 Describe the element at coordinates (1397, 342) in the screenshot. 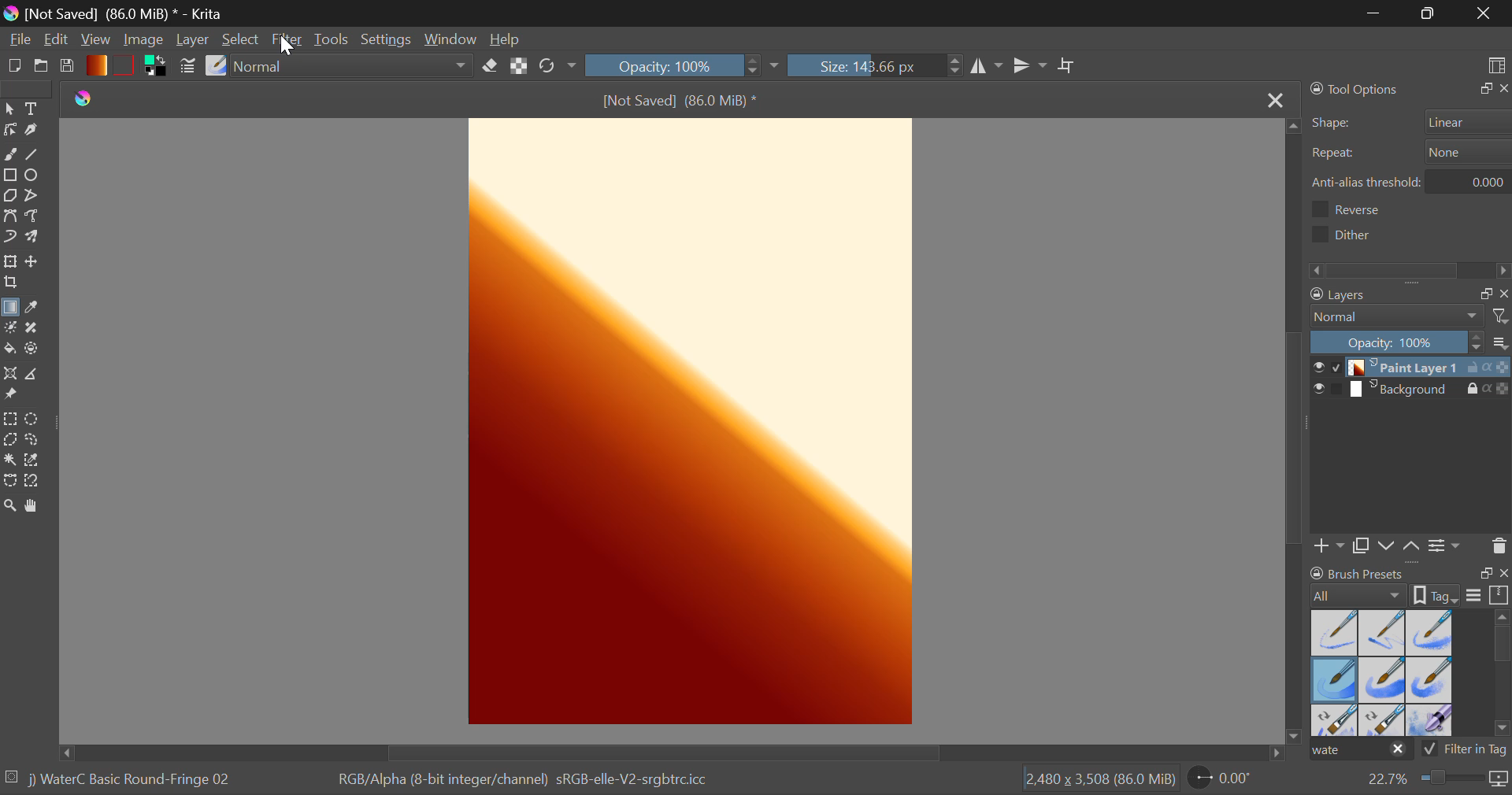

I see `opacity scale` at that location.